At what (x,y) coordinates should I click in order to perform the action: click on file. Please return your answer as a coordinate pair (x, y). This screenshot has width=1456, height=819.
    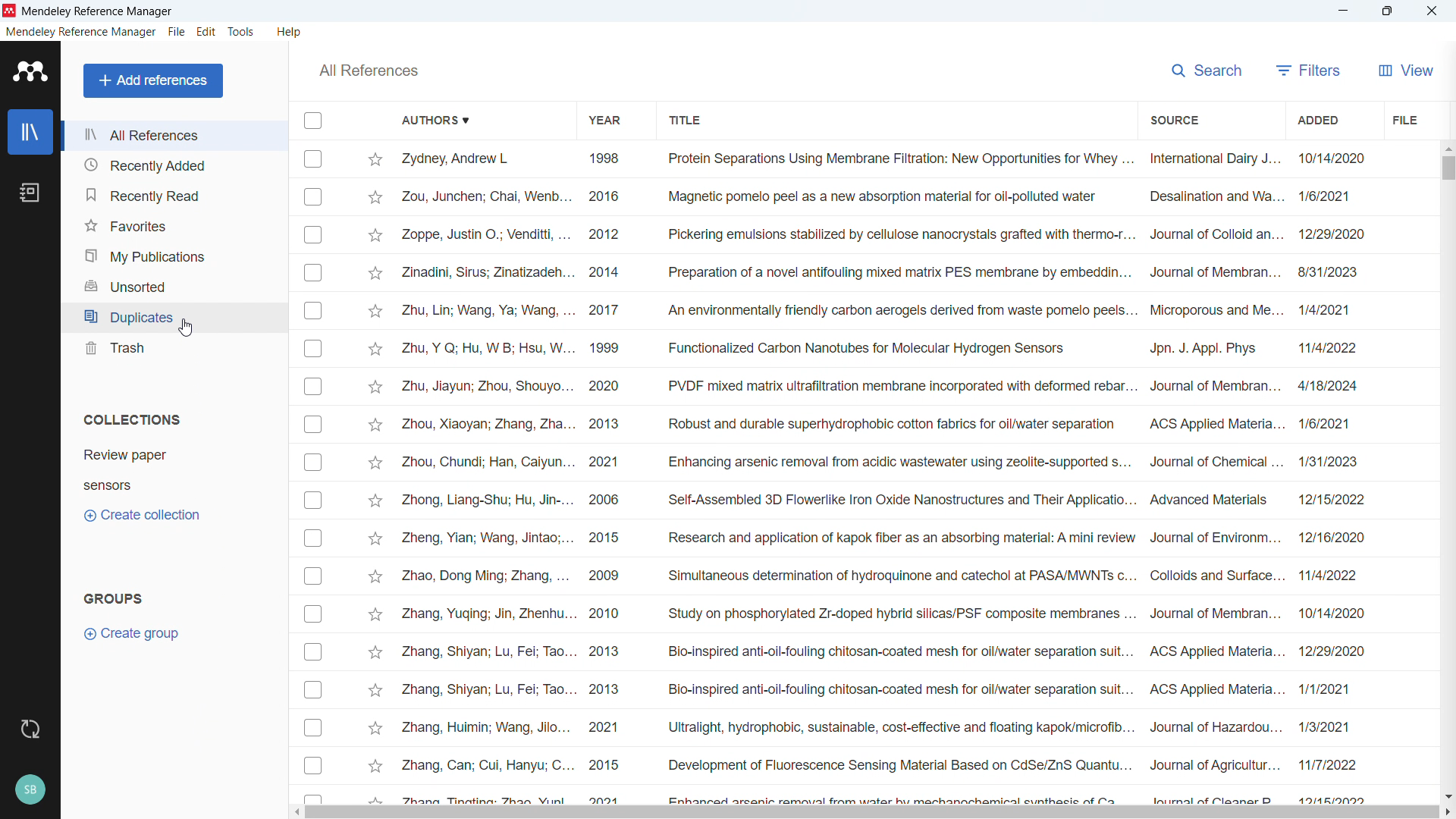
    Looking at the image, I should click on (176, 32).